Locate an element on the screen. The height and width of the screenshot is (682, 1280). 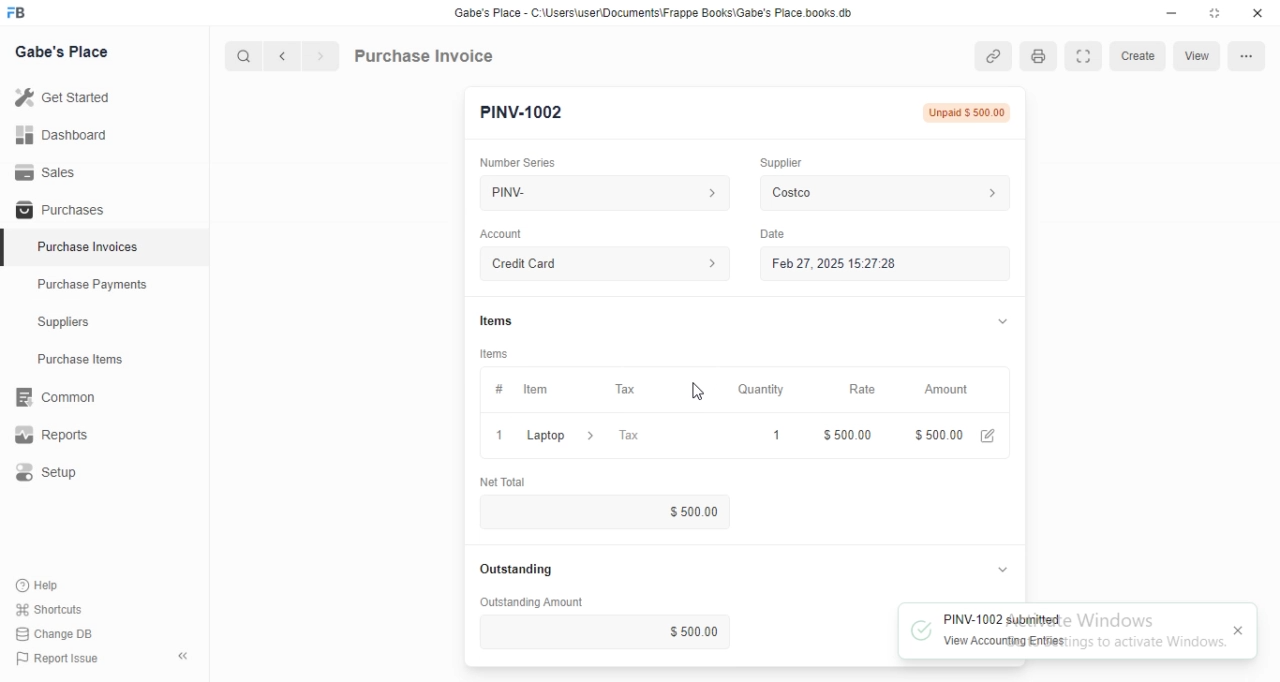
Costco is located at coordinates (884, 193).